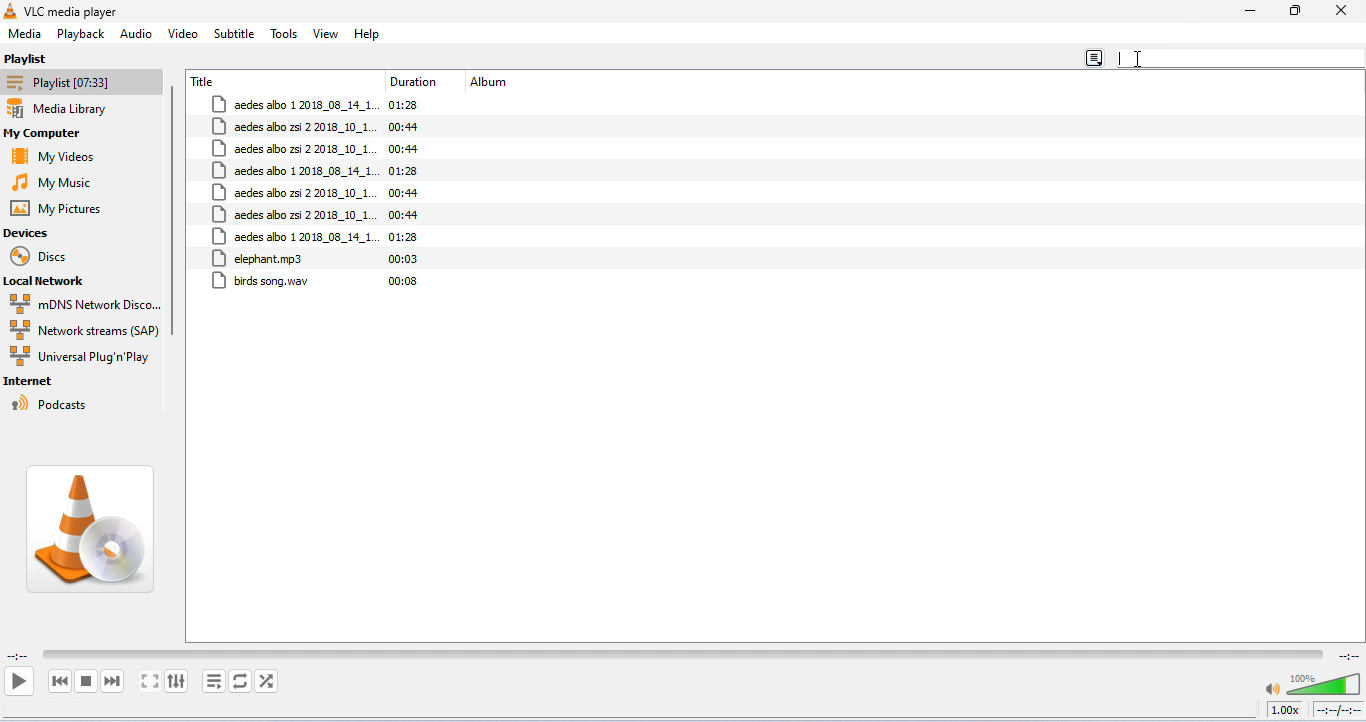 This screenshot has height=722, width=1366. What do you see at coordinates (368, 34) in the screenshot?
I see `help` at bounding box center [368, 34].